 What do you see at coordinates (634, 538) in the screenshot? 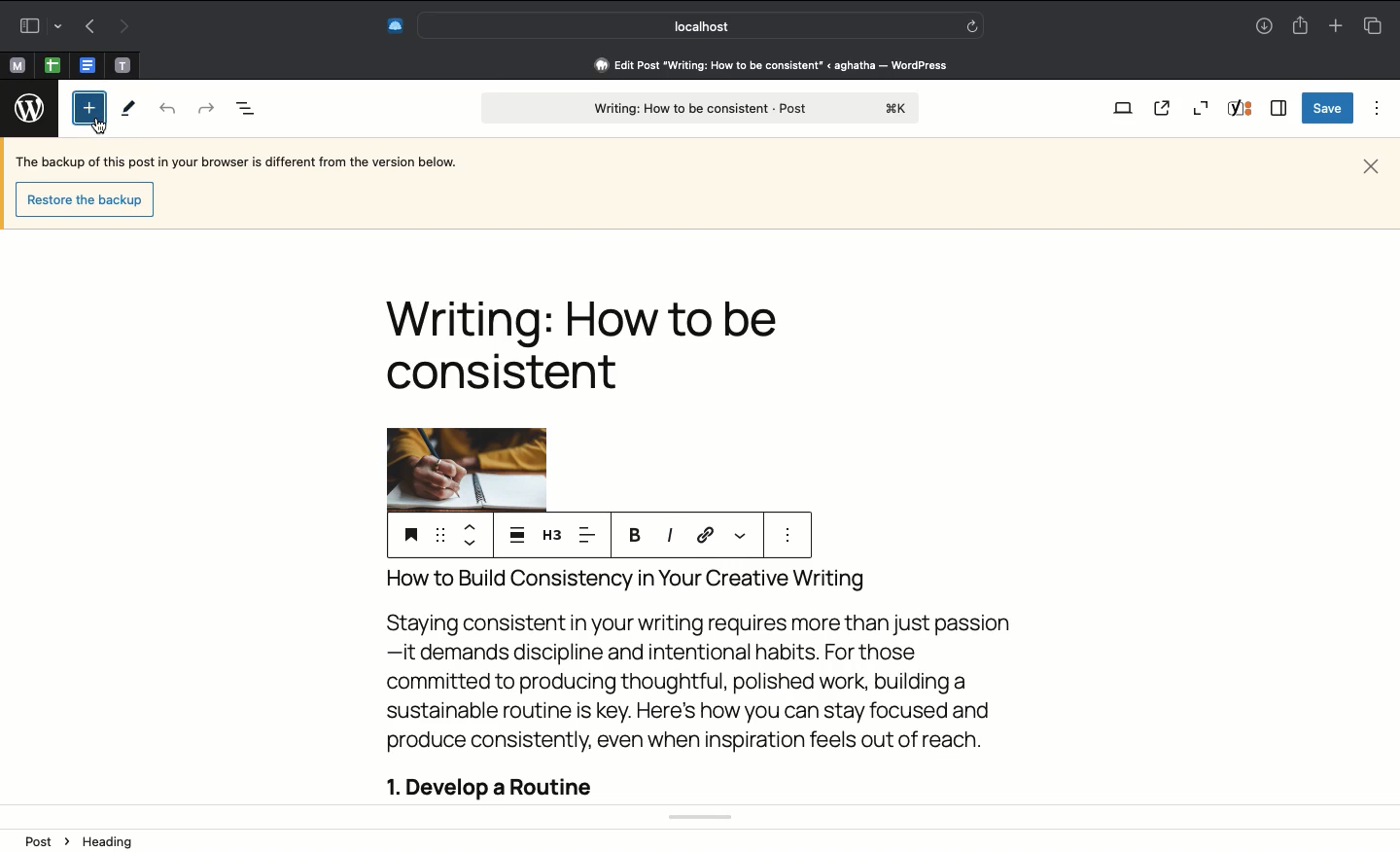
I see `Bold` at bounding box center [634, 538].